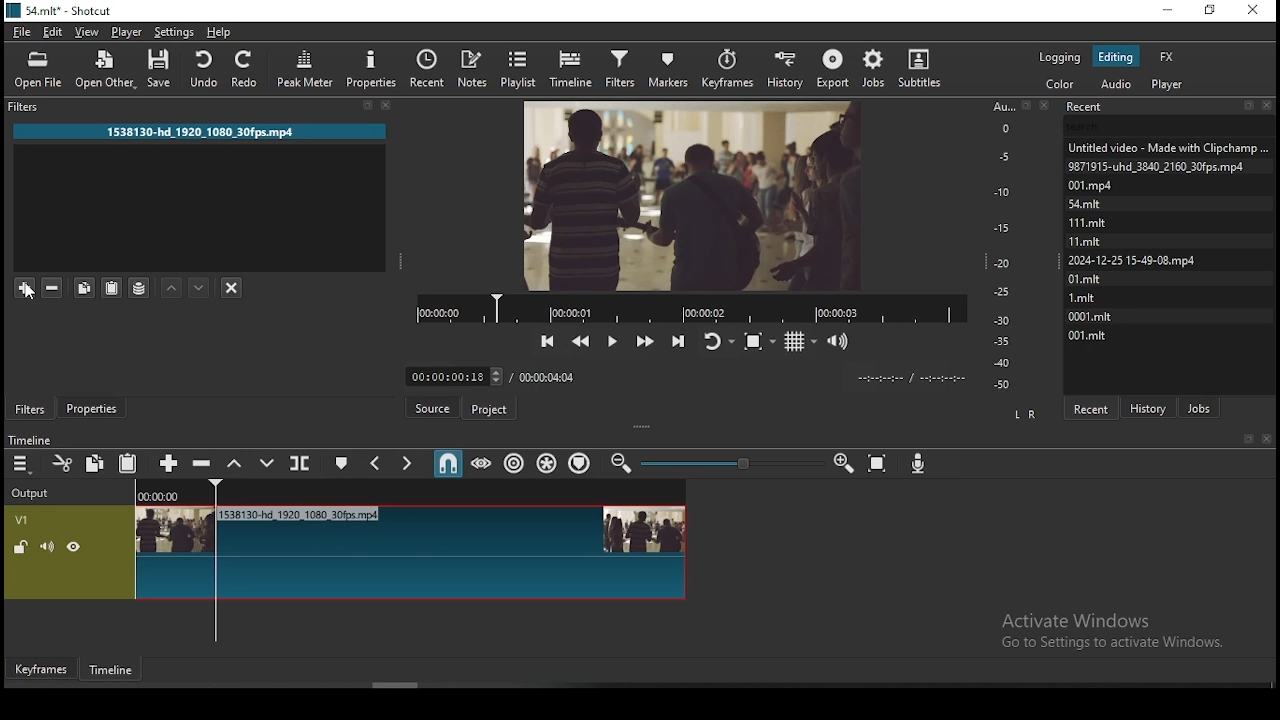 The width and height of the screenshot is (1280, 720). What do you see at coordinates (51, 31) in the screenshot?
I see `edit` at bounding box center [51, 31].